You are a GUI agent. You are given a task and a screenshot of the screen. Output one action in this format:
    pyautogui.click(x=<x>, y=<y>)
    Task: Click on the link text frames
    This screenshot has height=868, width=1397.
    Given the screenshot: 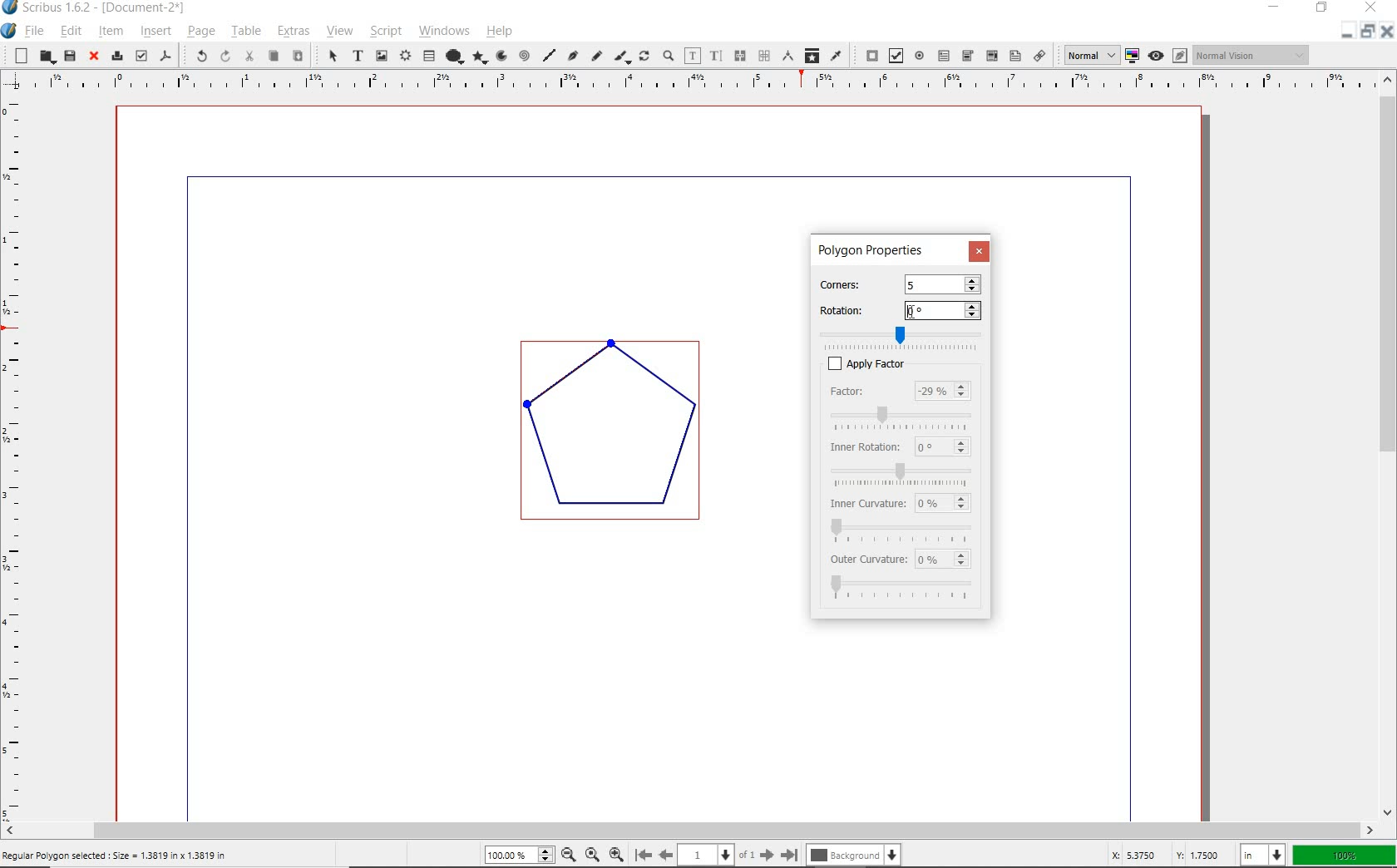 What is the action you would take?
    pyautogui.click(x=739, y=56)
    